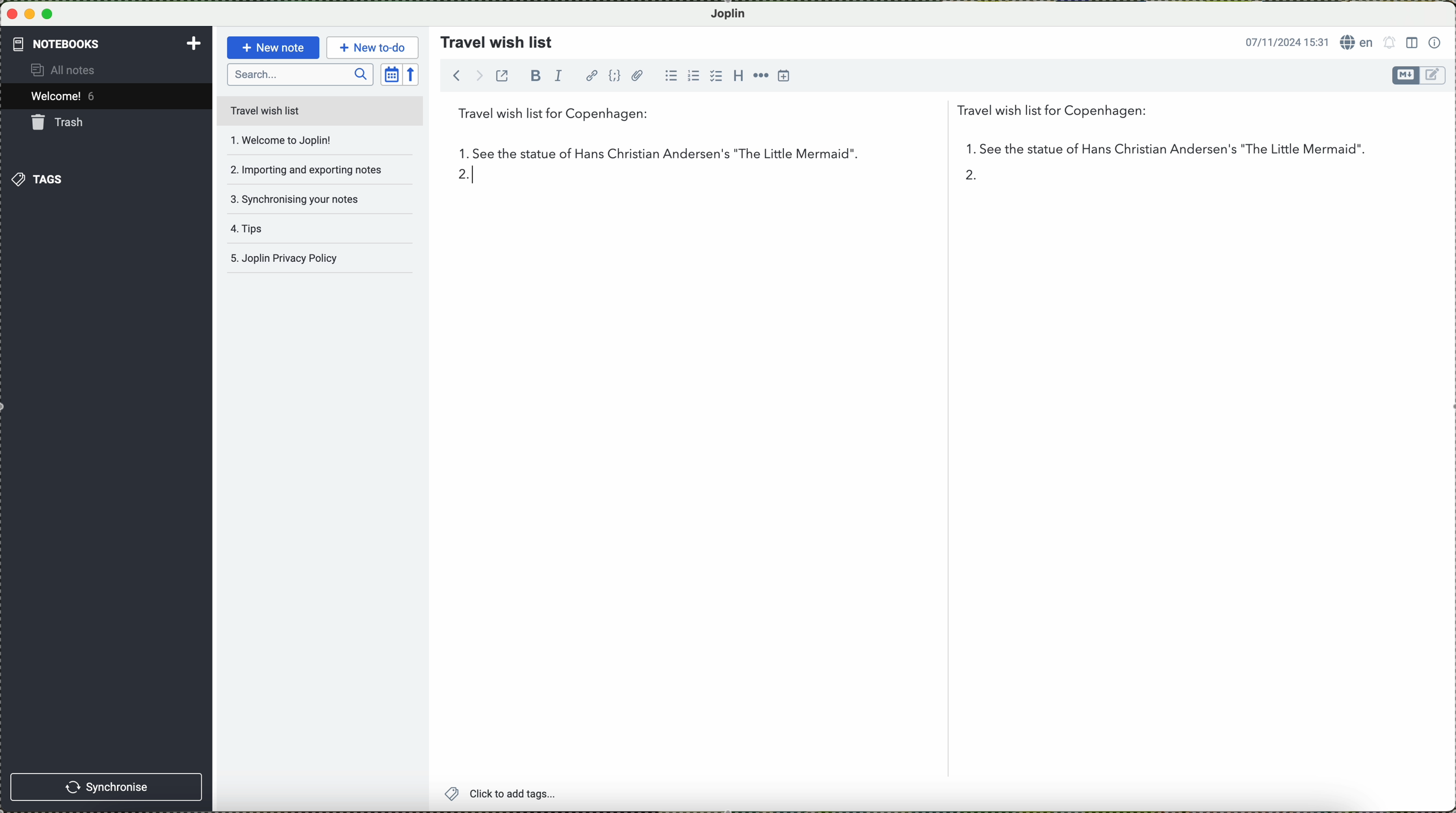  I want to click on horizontal rule, so click(760, 75).